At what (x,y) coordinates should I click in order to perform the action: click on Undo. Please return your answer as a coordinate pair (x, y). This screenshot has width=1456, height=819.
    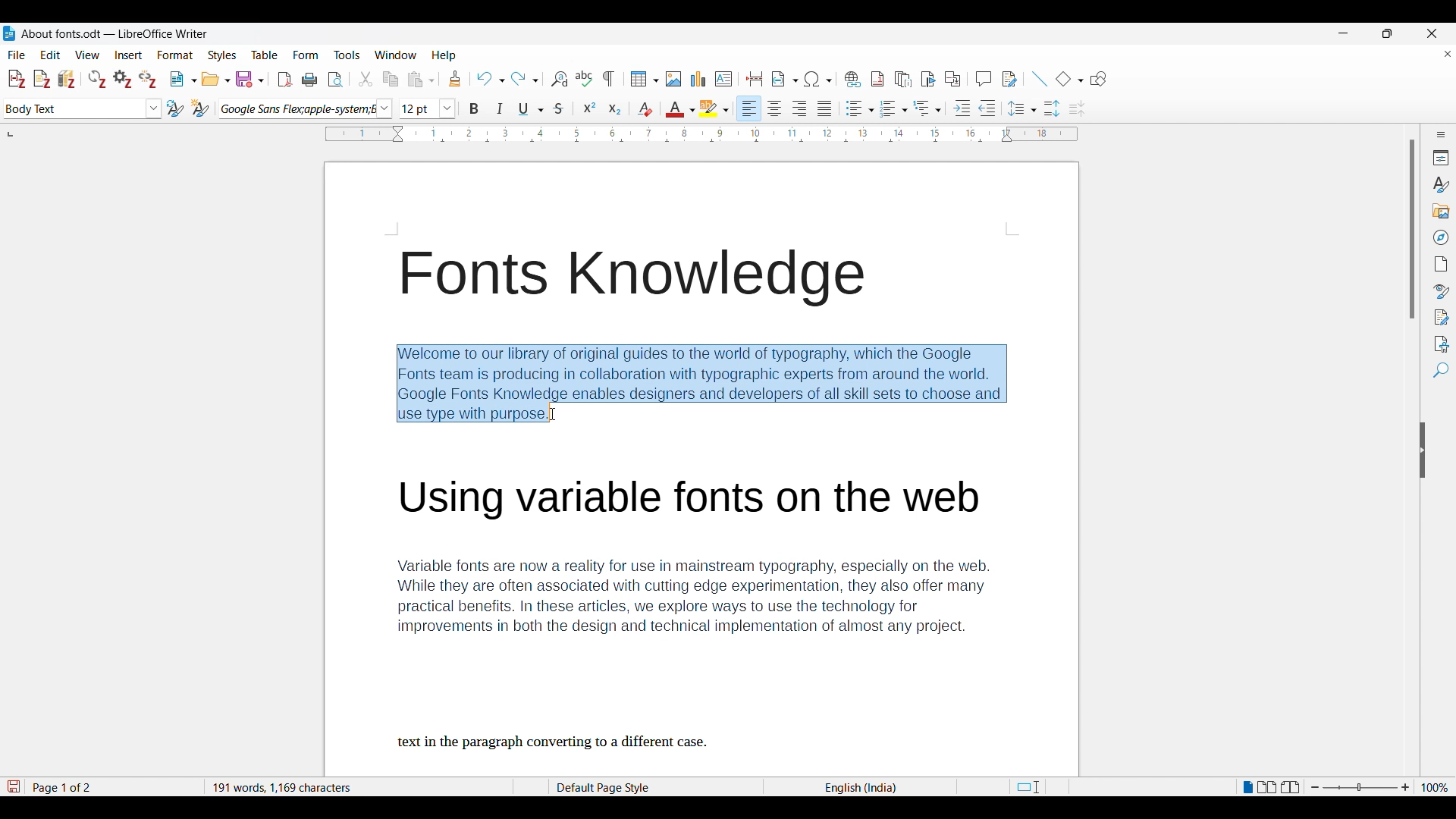
    Looking at the image, I should click on (490, 79).